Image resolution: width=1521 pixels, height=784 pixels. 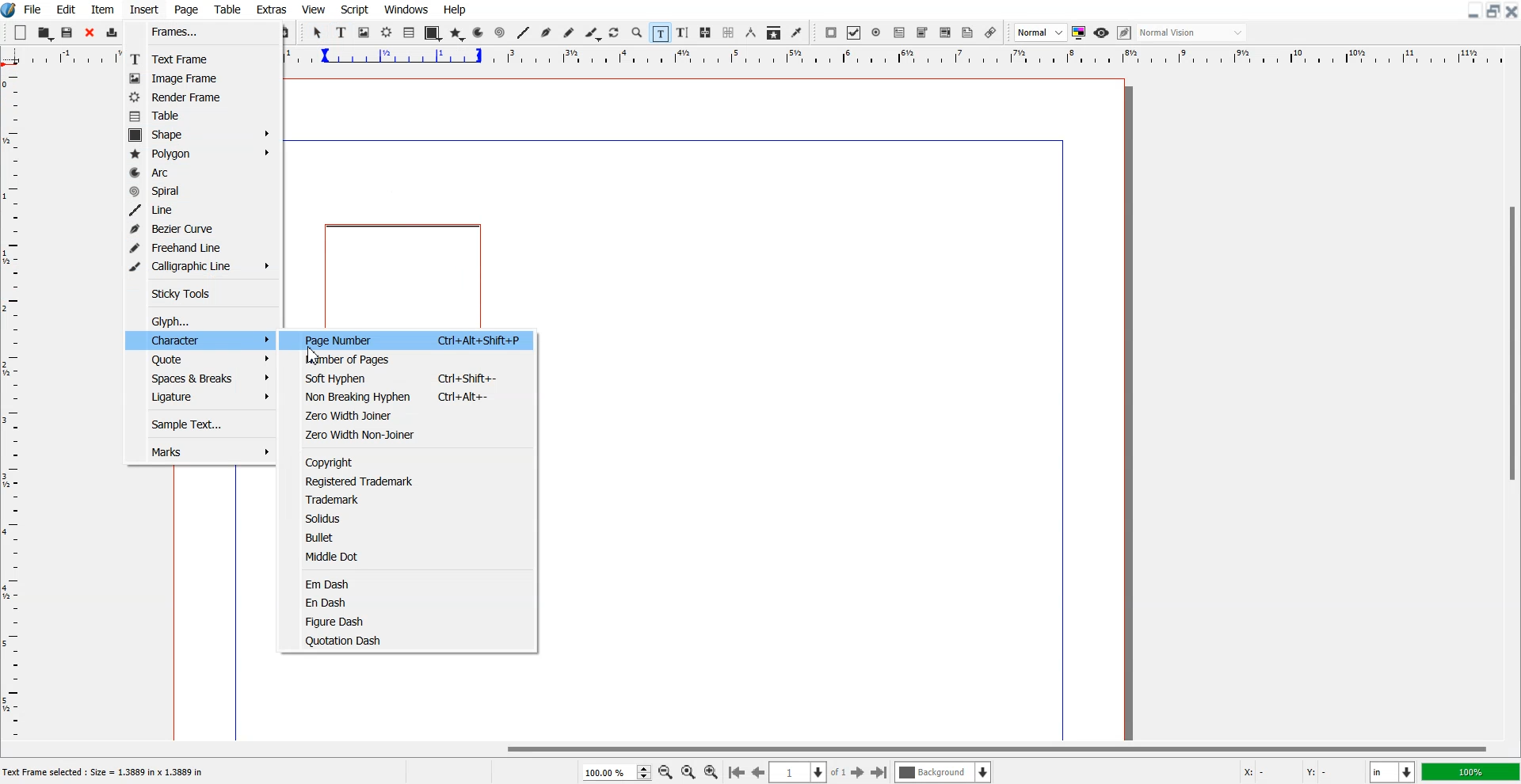 What do you see at coordinates (688, 773) in the screenshot?
I see `Zoom to 100%` at bounding box center [688, 773].